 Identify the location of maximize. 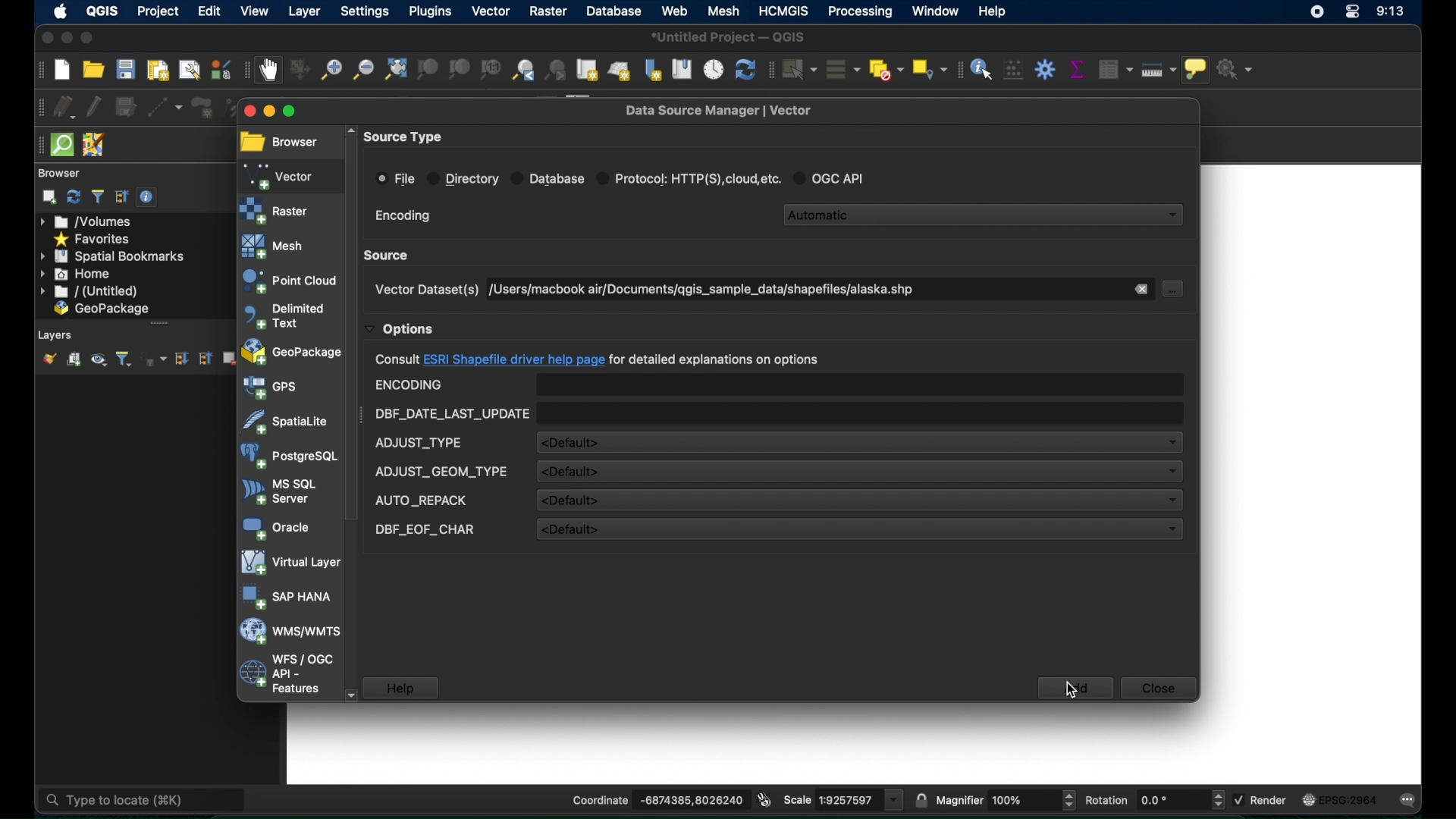
(89, 38).